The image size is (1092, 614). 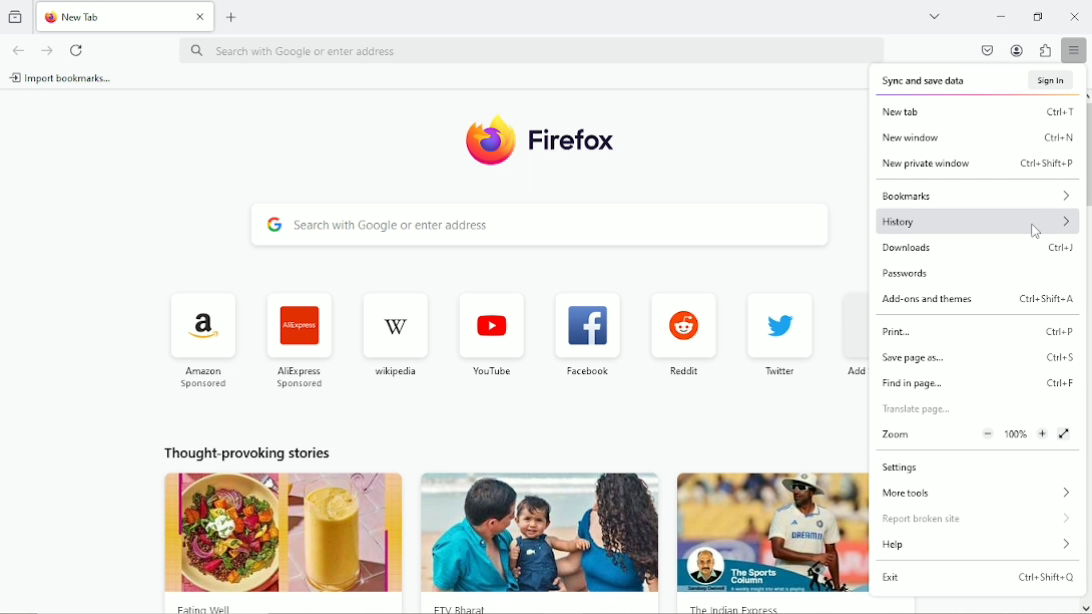 I want to click on go forward, so click(x=46, y=50).